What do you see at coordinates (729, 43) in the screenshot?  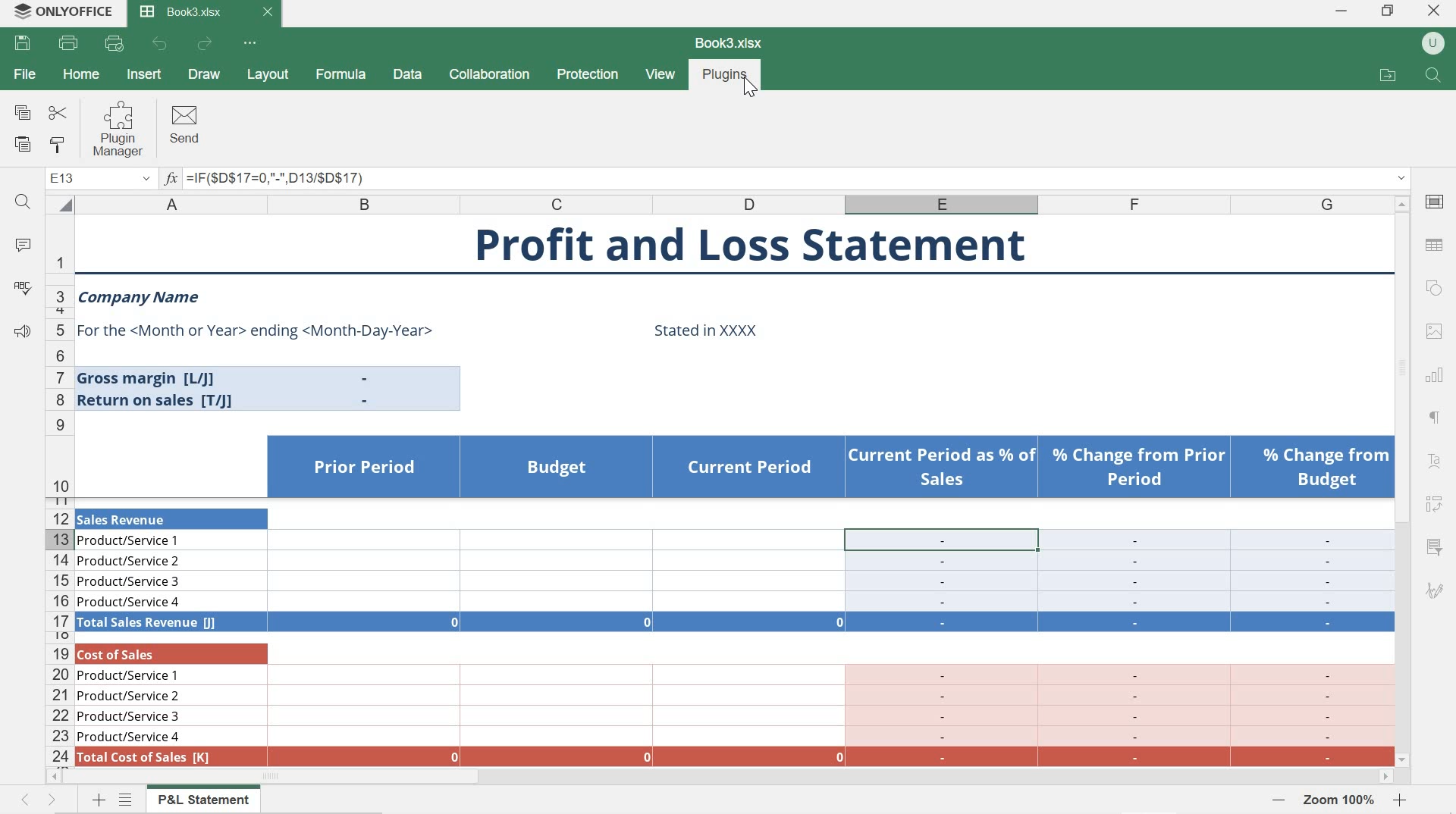 I see `book3.xlsx` at bounding box center [729, 43].